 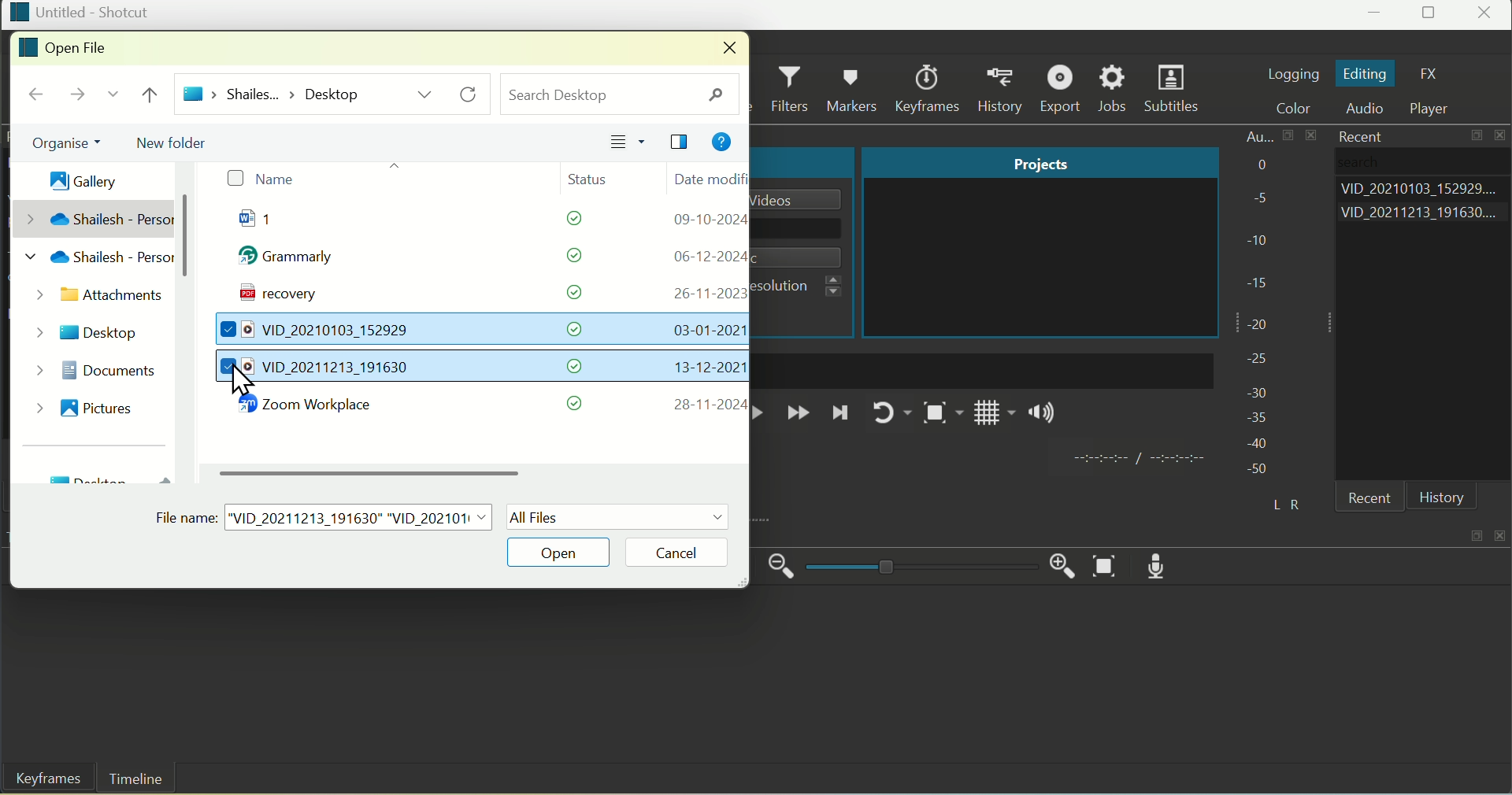 I want to click on Untitled - shortcut, so click(x=80, y=12).